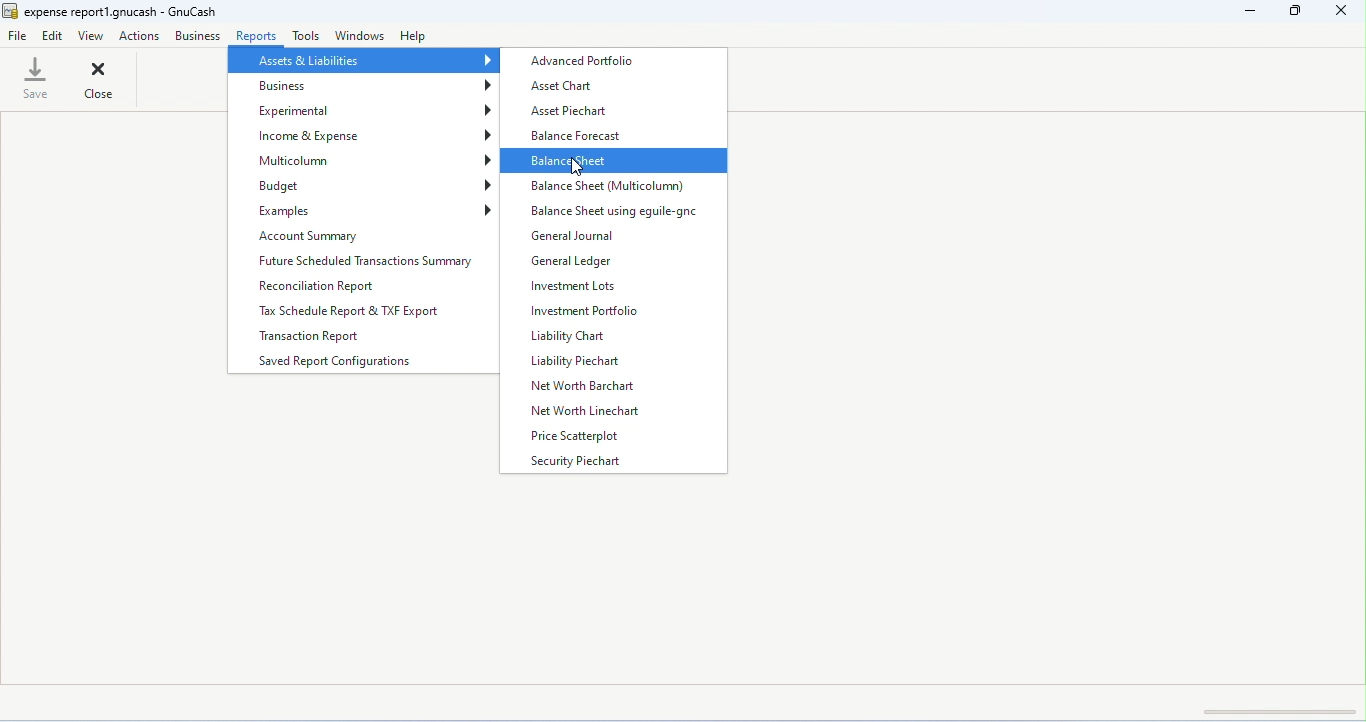 Image resolution: width=1366 pixels, height=722 pixels. Describe the element at coordinates (255, 35) in the screenshot. I see `reports` at that location.